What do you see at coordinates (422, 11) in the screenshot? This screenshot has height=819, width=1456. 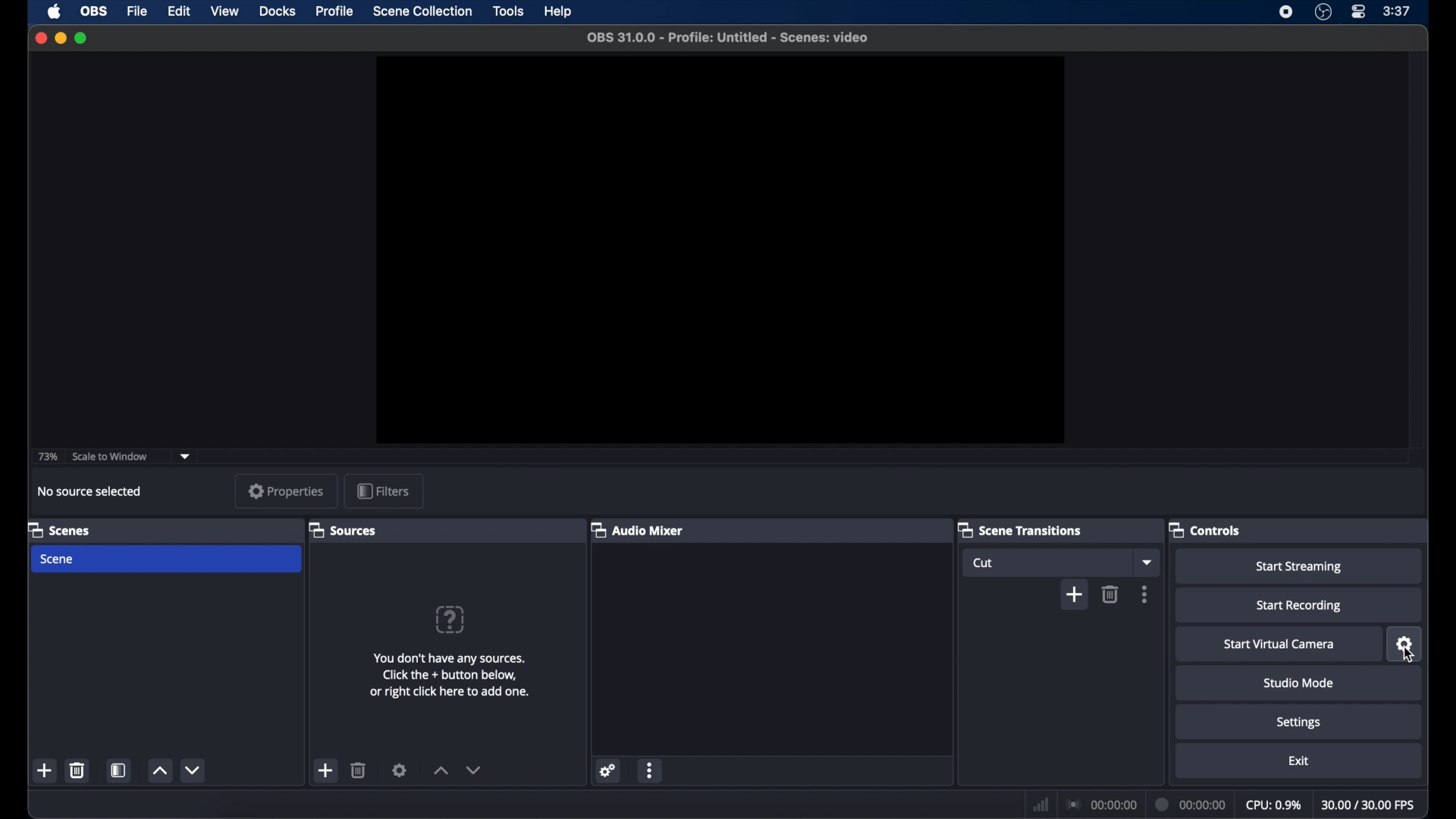 I see `scene collection` at bounding box center [422, 11].